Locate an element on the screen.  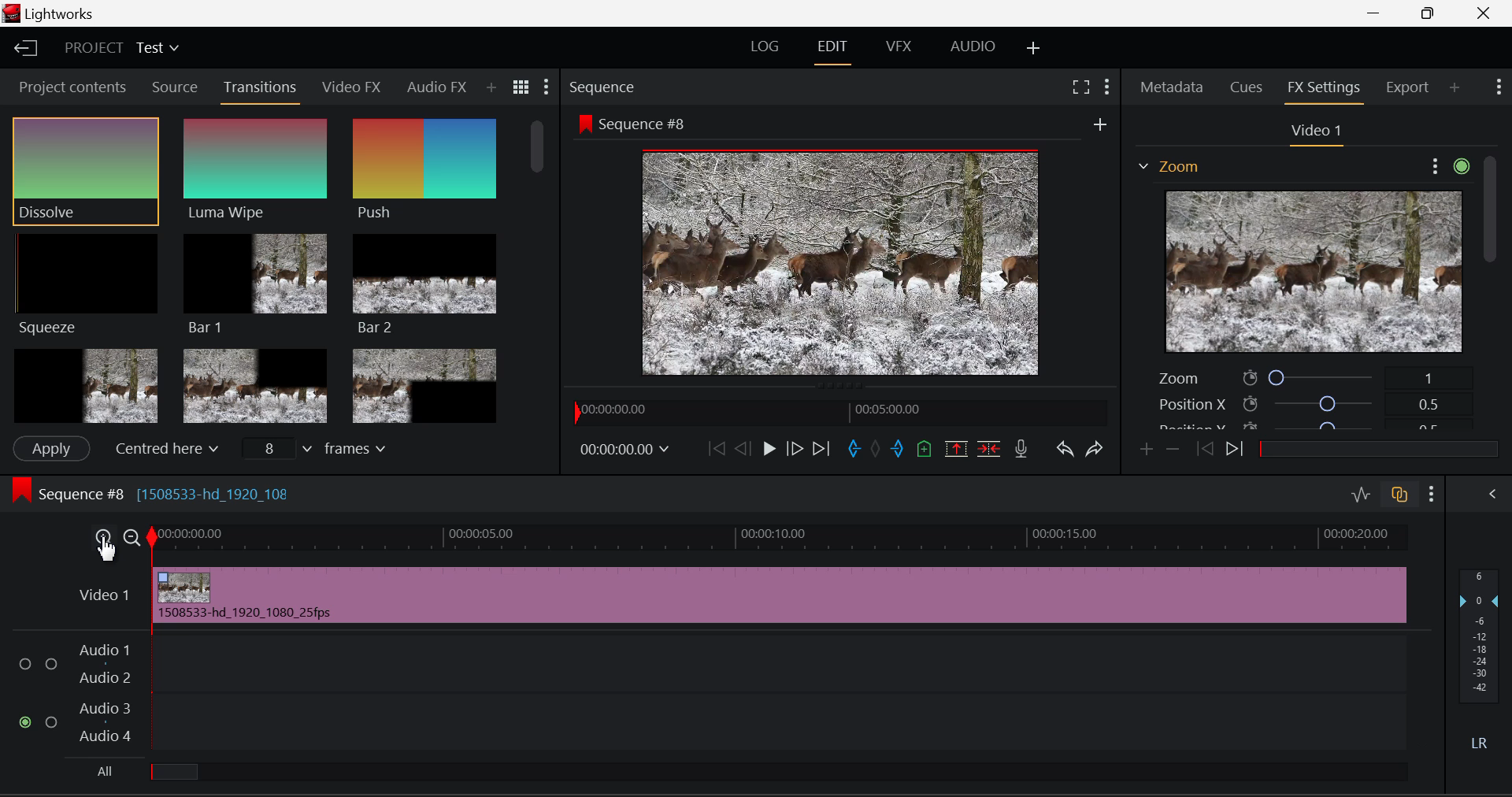
Effect on Video is located at coordinates (1168, 168).